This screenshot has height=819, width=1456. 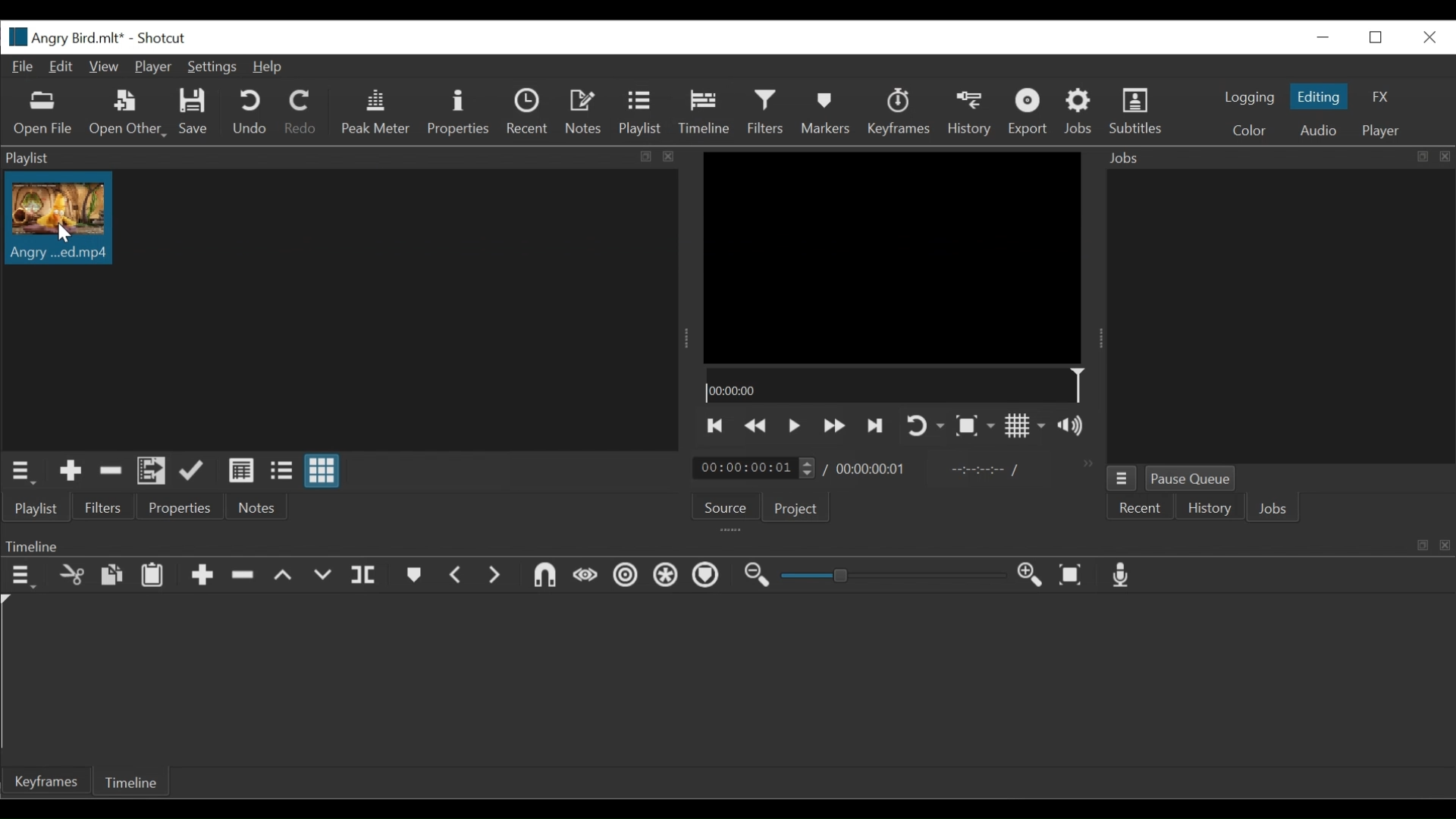 I want to click on Recent, so click(x=1139, y=507).